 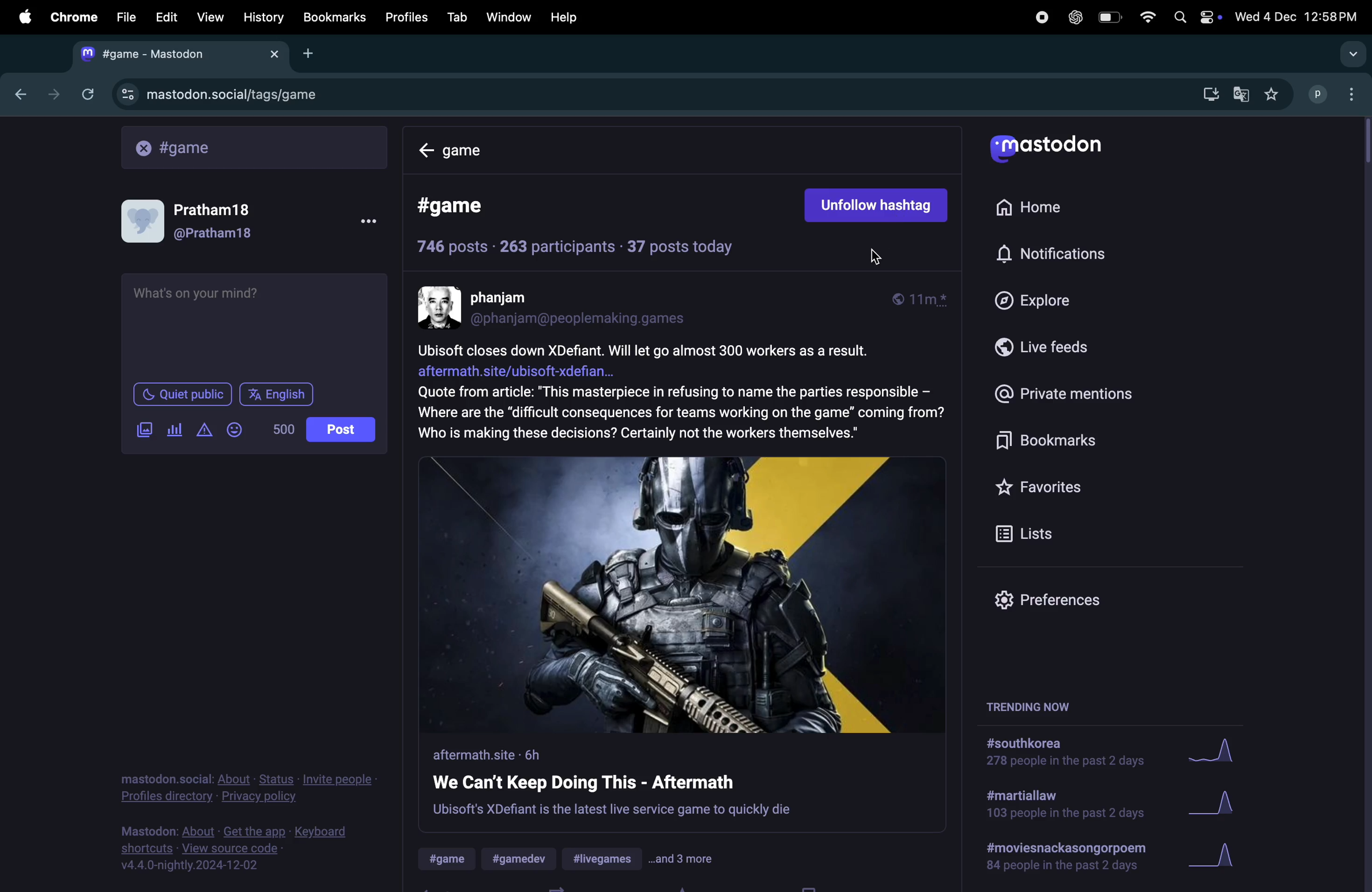 What do you see at coordinates (206, 430) in the screenshot?
I see `add alert` at bounding box center [206, 430].